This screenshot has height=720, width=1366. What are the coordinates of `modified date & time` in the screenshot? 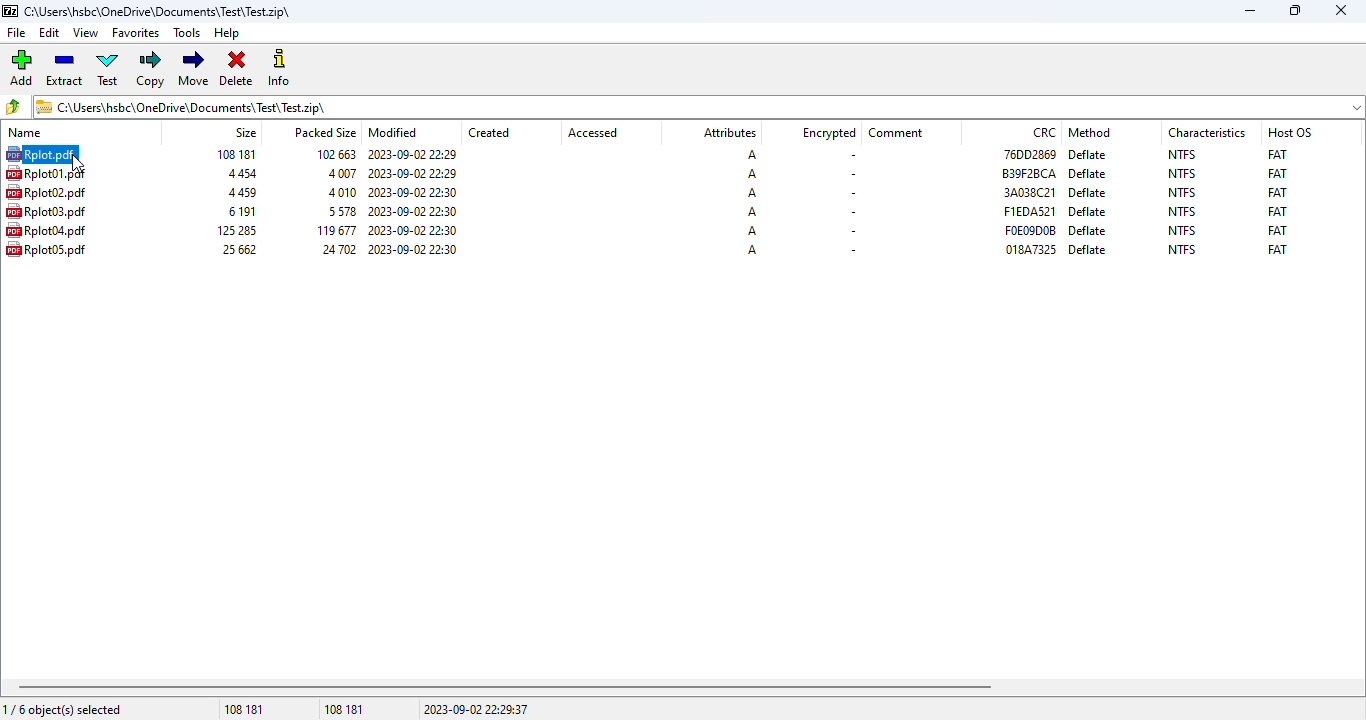 It's located at (413, 230).